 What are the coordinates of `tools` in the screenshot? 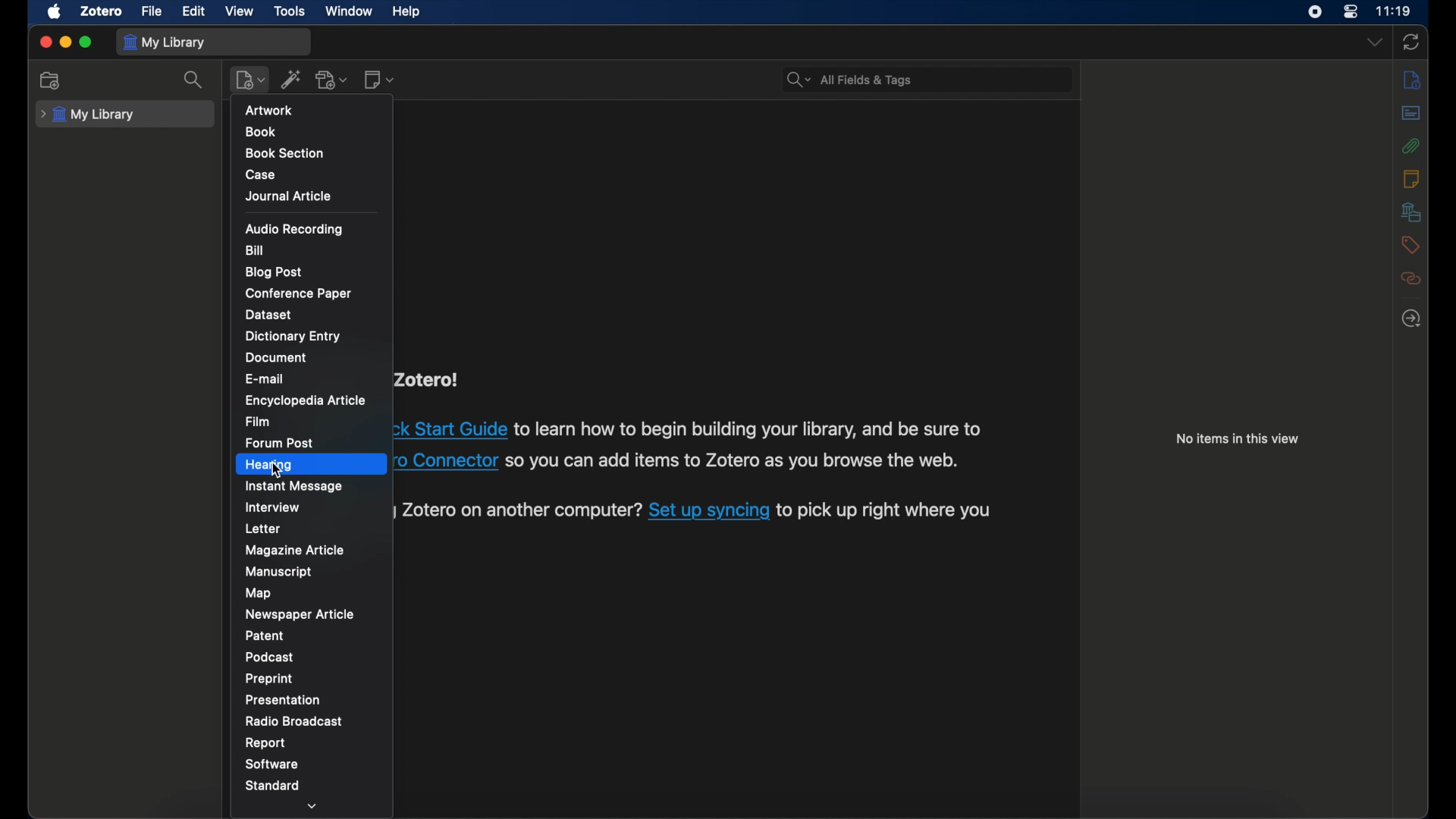 It's located at (290, 10).